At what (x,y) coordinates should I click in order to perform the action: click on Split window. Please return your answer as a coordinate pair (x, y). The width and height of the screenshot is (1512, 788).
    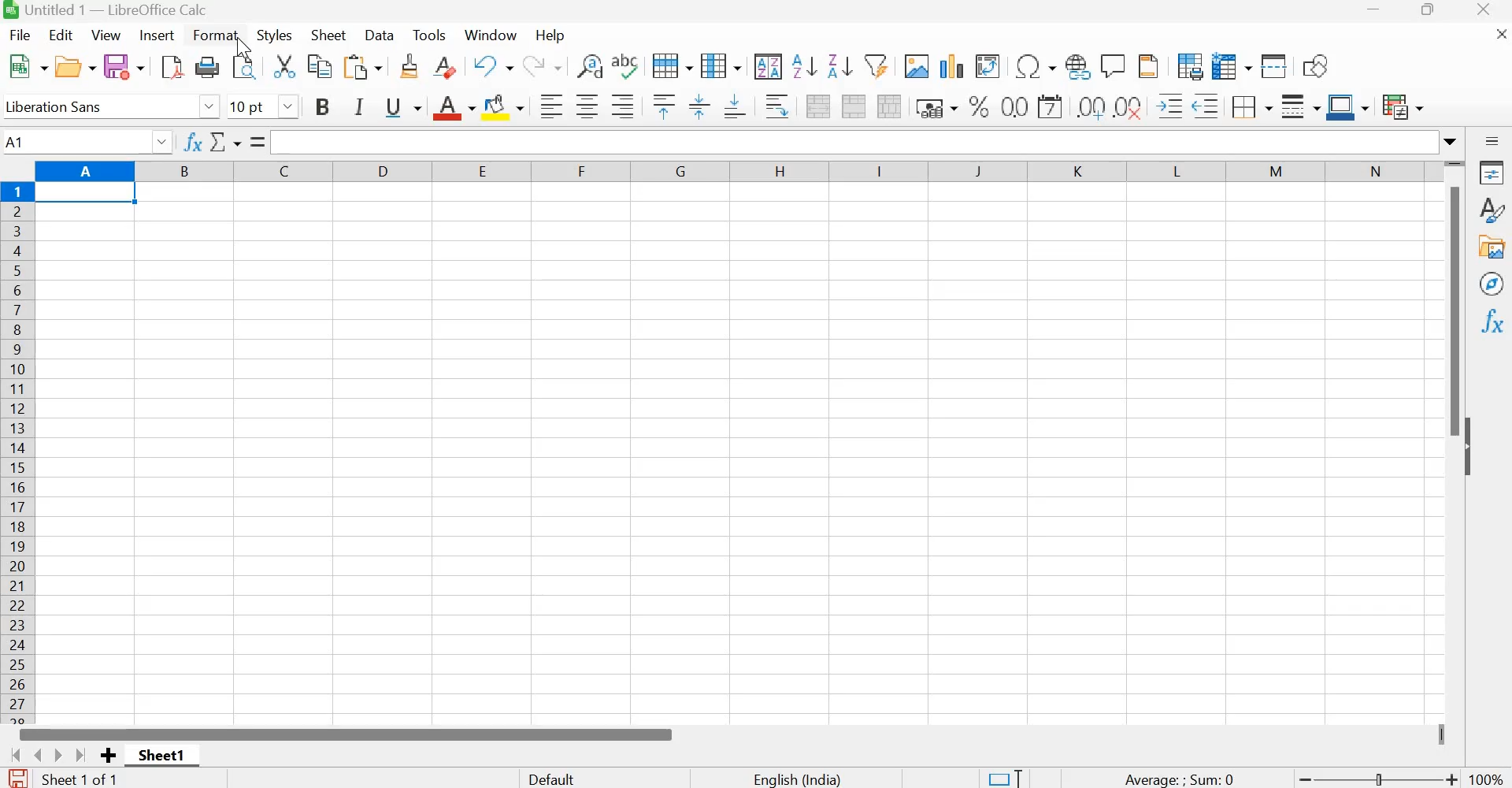
    Looking at the image, I should click on (1273, 67).